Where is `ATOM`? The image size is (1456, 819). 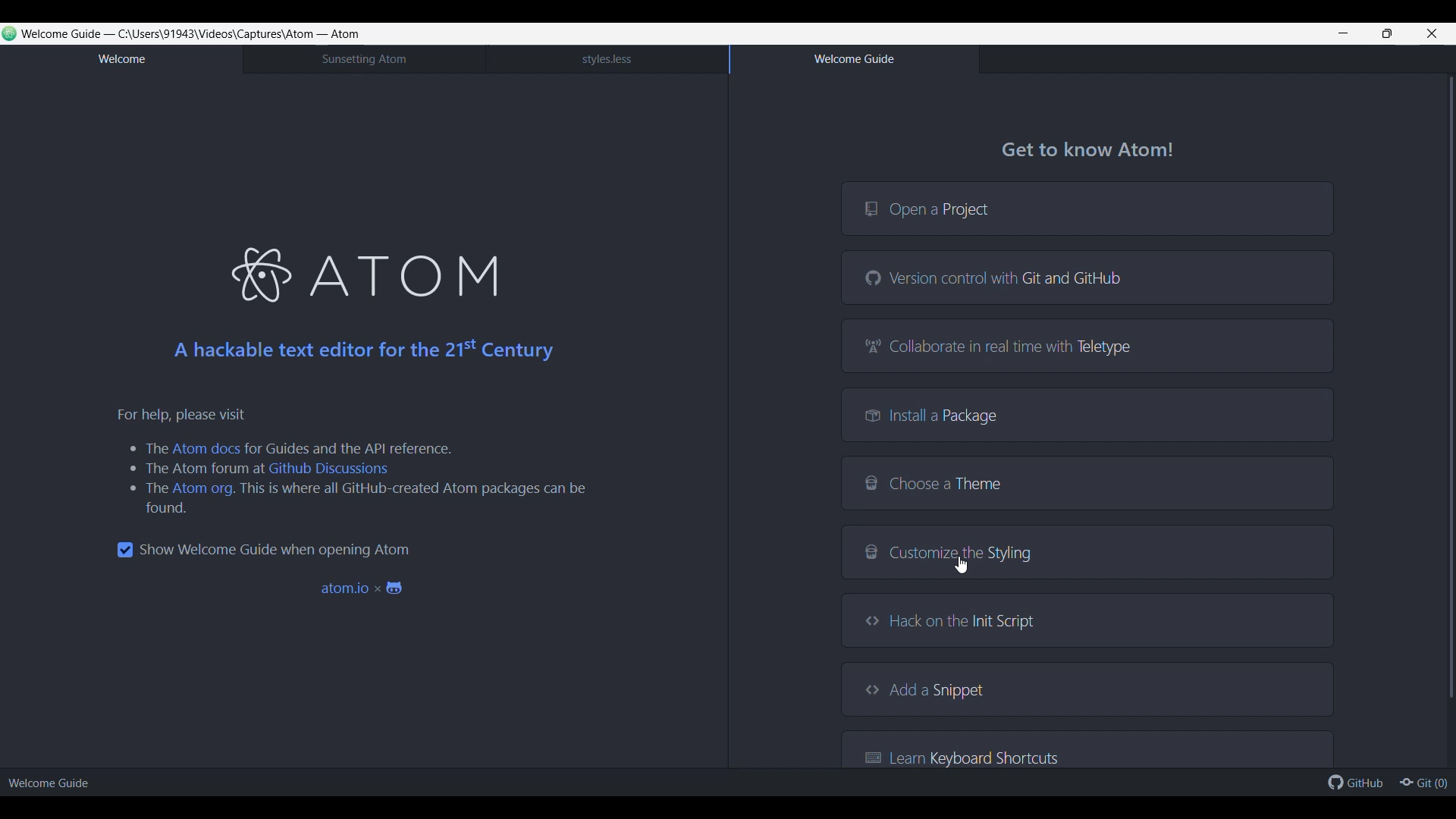 ATOM is located at coordinates (412, 271).